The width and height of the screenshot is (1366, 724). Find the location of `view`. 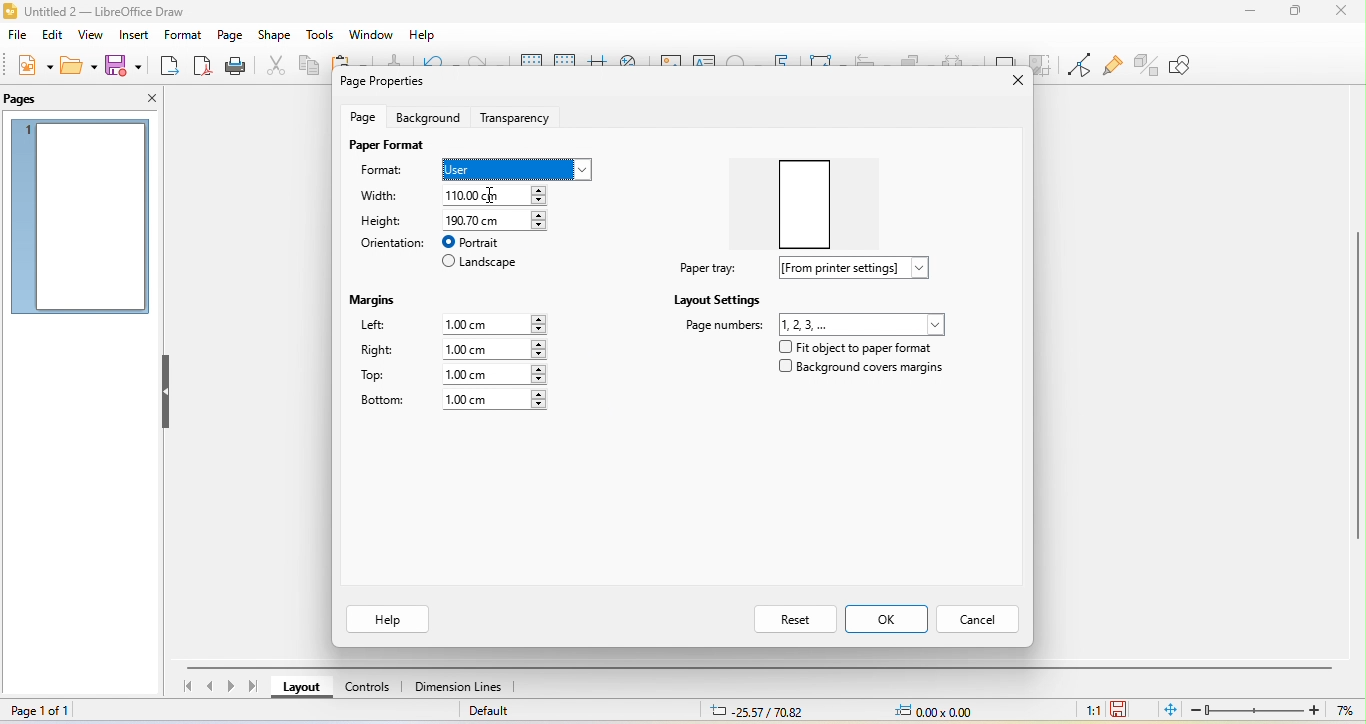

view is located at coordinates (89, 37).